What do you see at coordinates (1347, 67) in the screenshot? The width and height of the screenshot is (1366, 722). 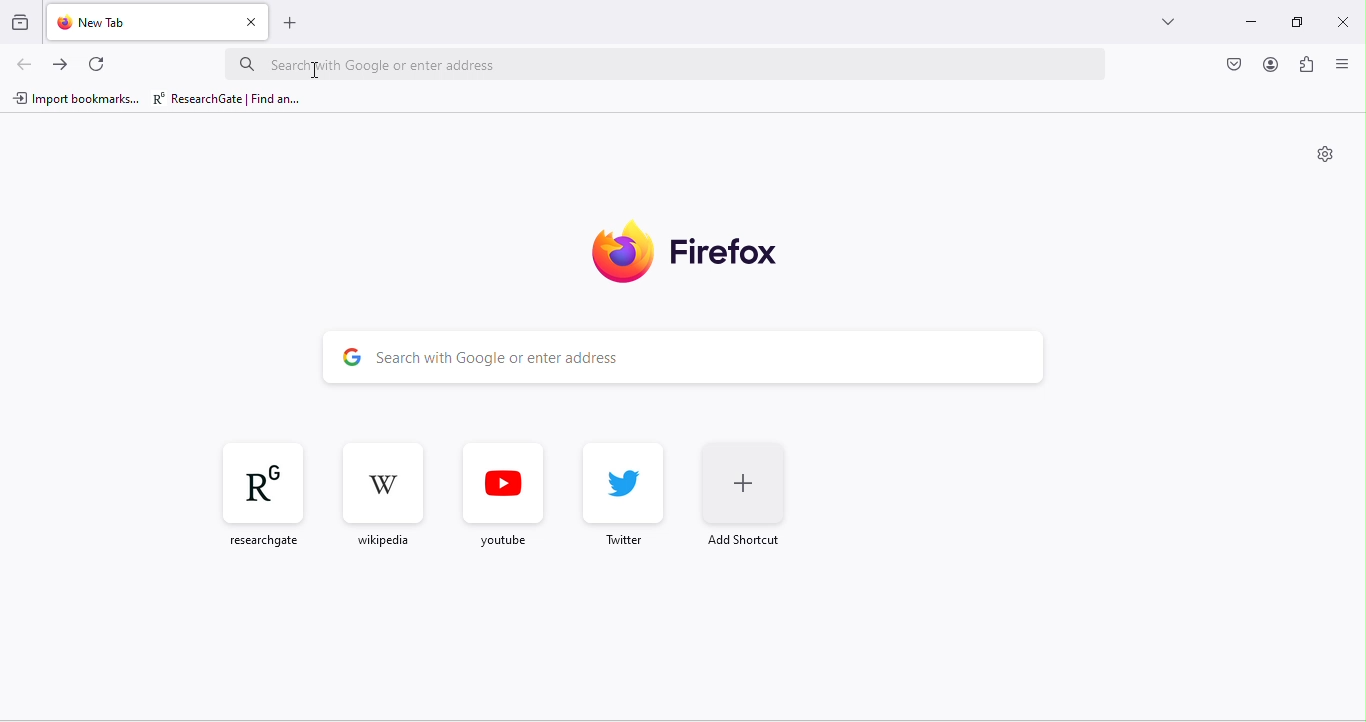 I see `close or open sidebar` at bounding box center [1347, 67].